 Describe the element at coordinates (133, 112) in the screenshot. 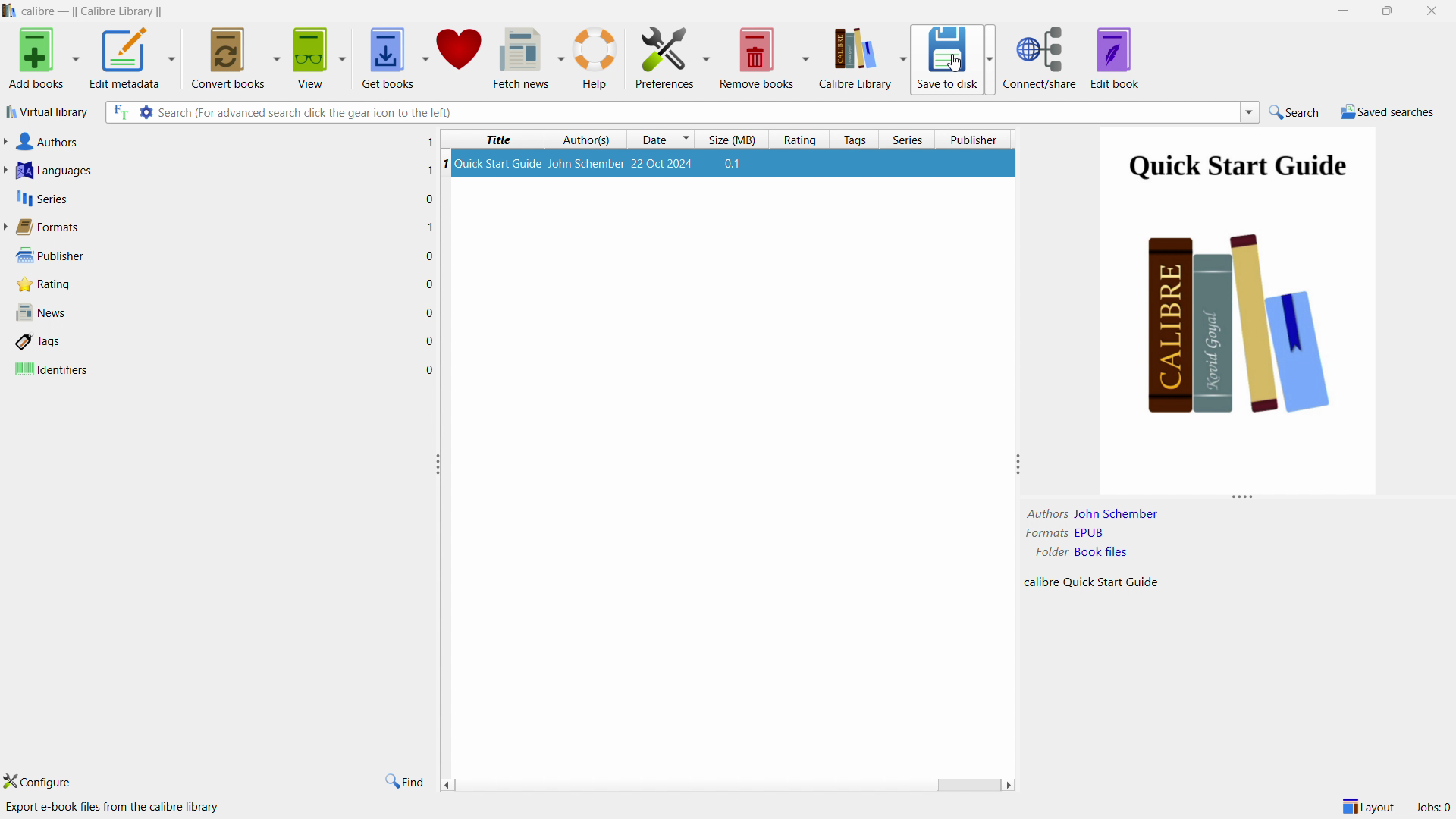

I see `settings` at that location.